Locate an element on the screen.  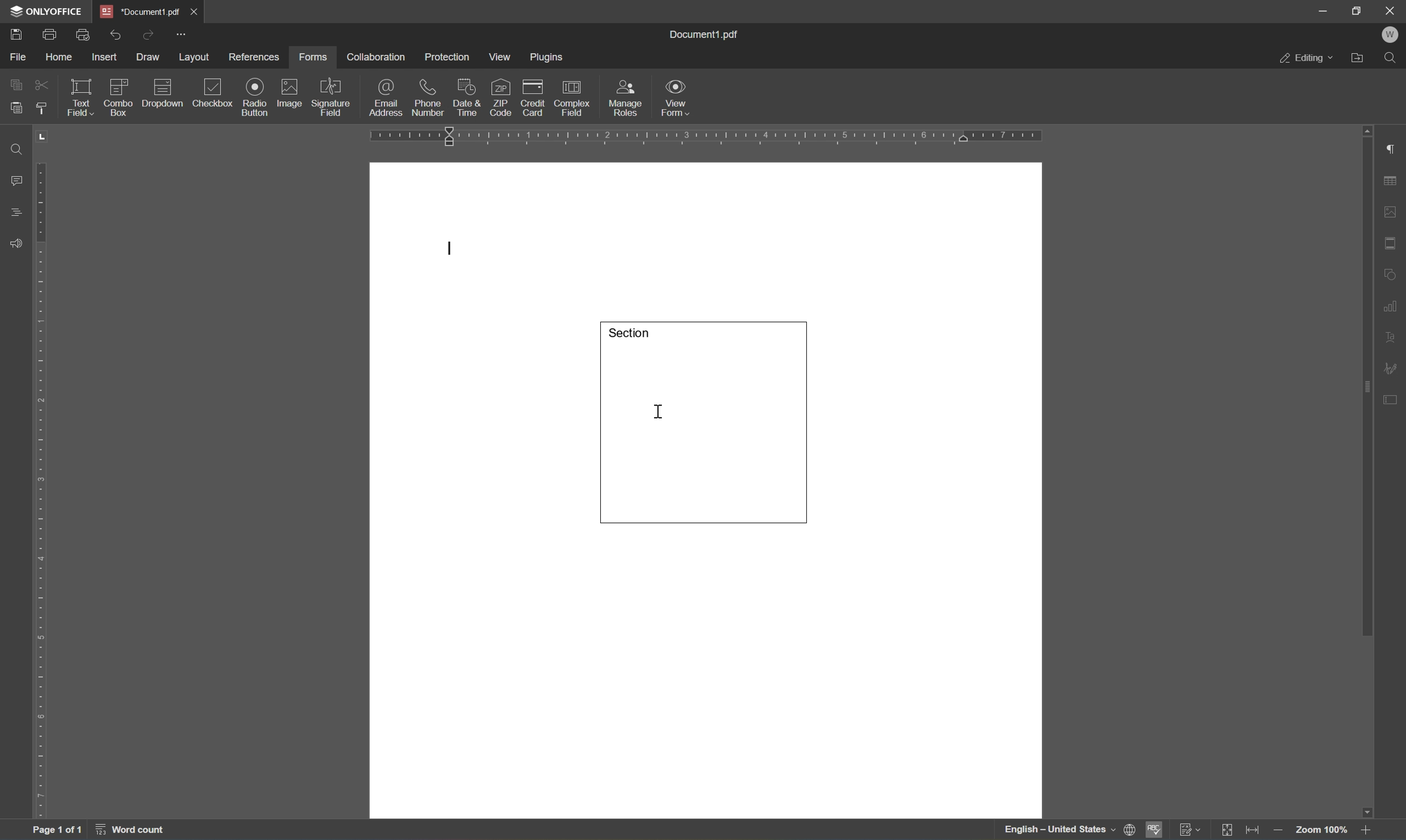
print is located at coordinates (49, 33).